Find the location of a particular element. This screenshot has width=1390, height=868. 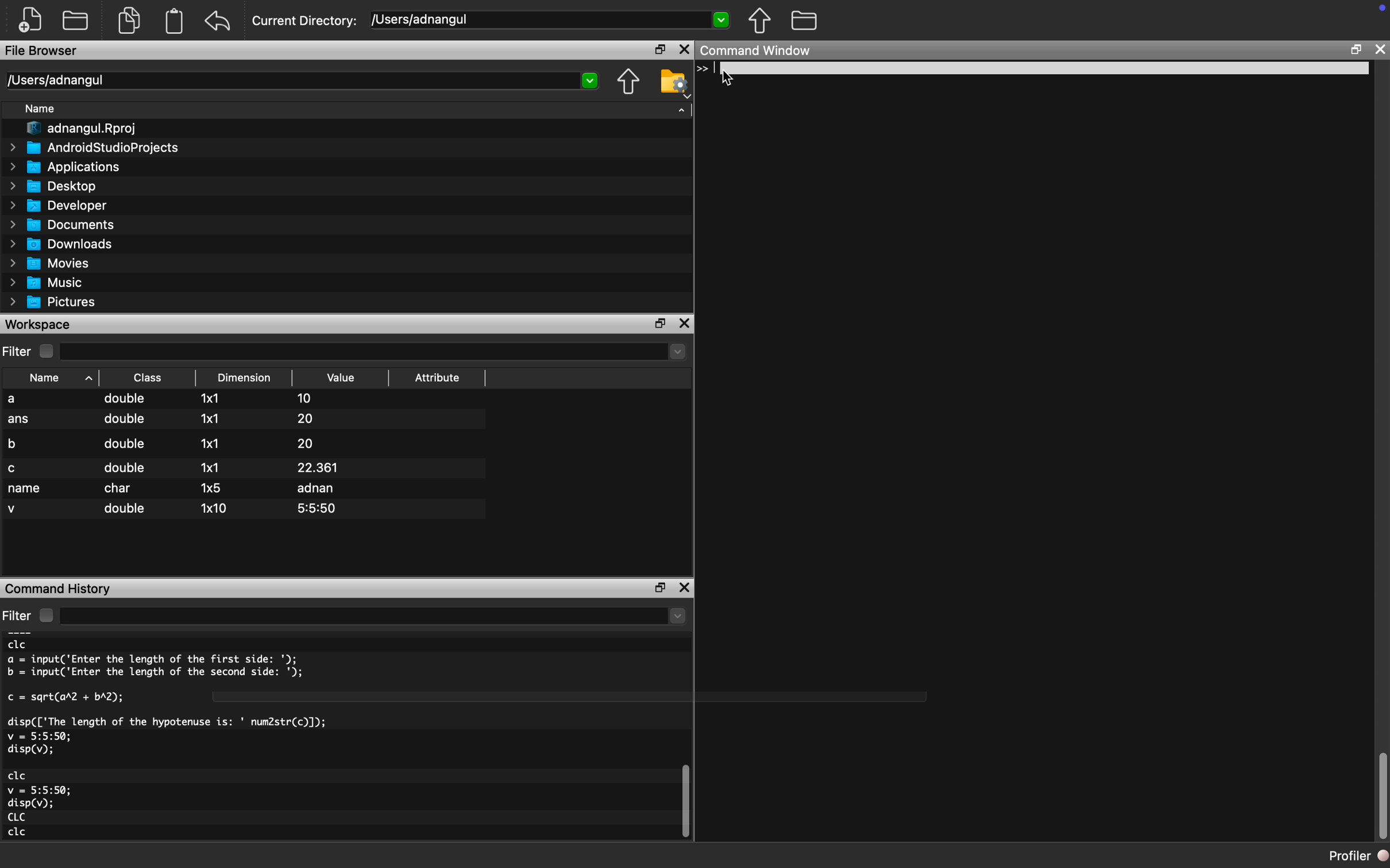

> [@ Movies is located at coordinates (50, 264).